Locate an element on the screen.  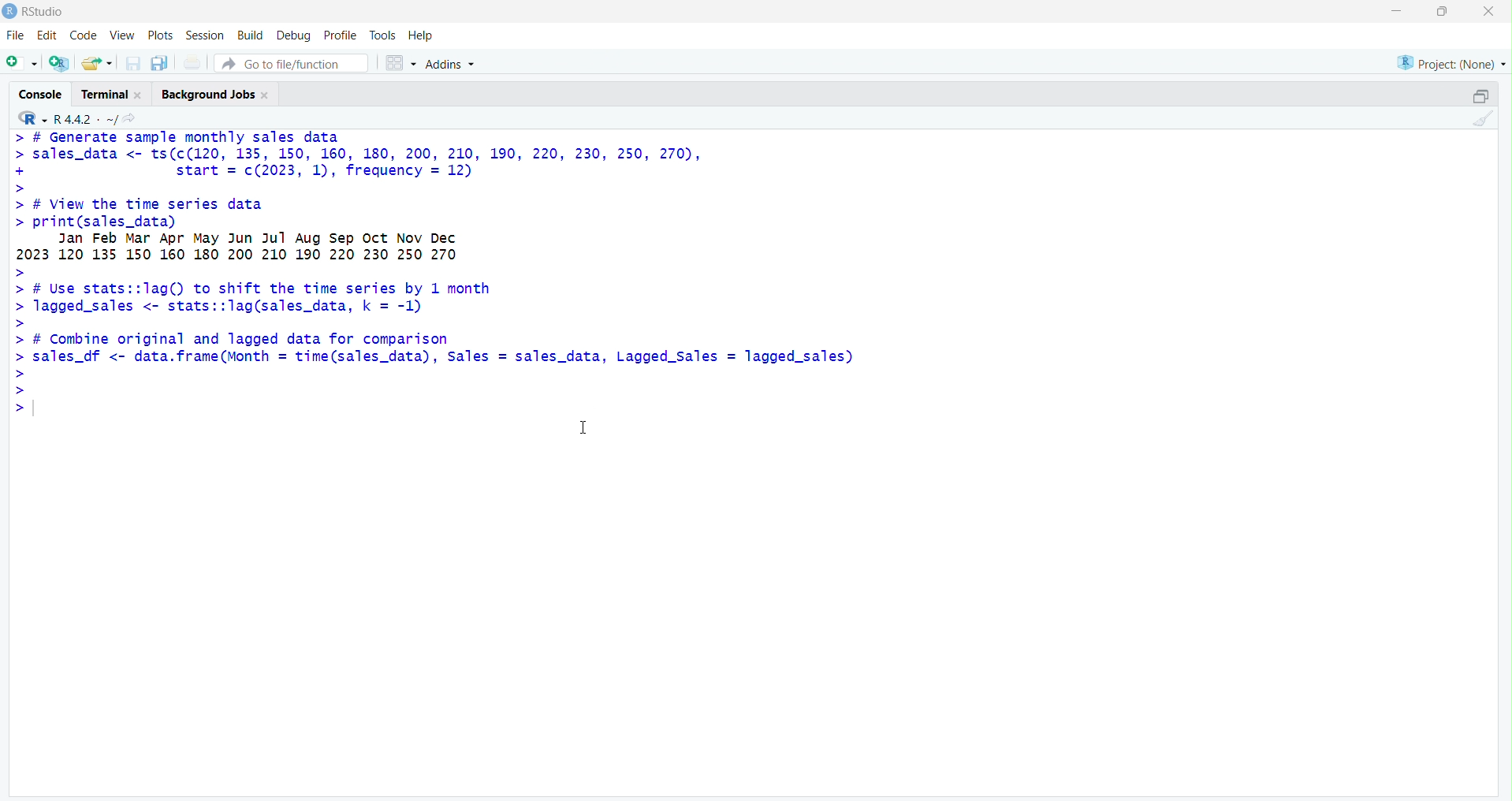
console is located at coordinates (41, 95).